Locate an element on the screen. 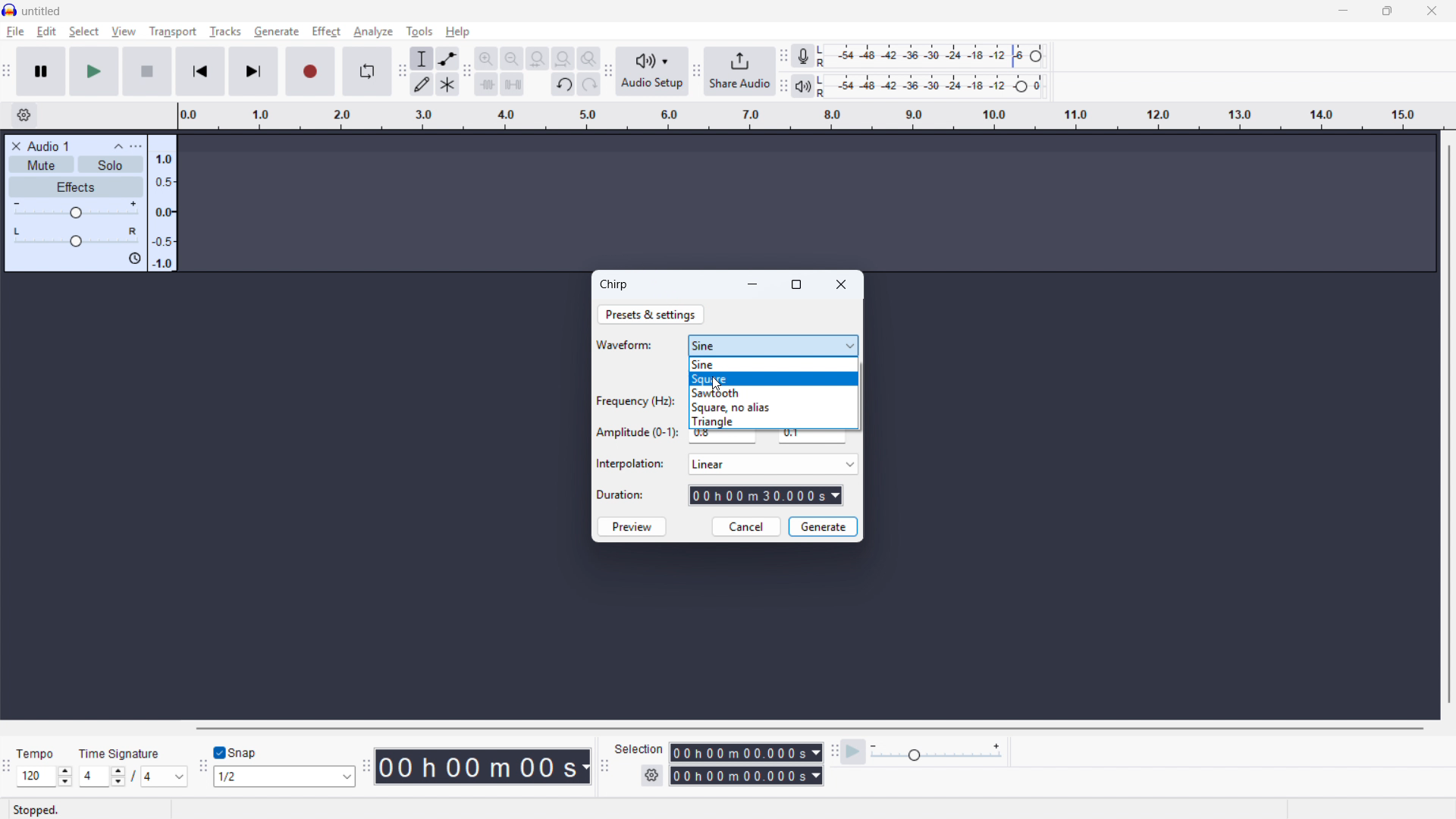 The width and height of the screenshot is (1456, 819). select  is located at coordinates (83, 31).